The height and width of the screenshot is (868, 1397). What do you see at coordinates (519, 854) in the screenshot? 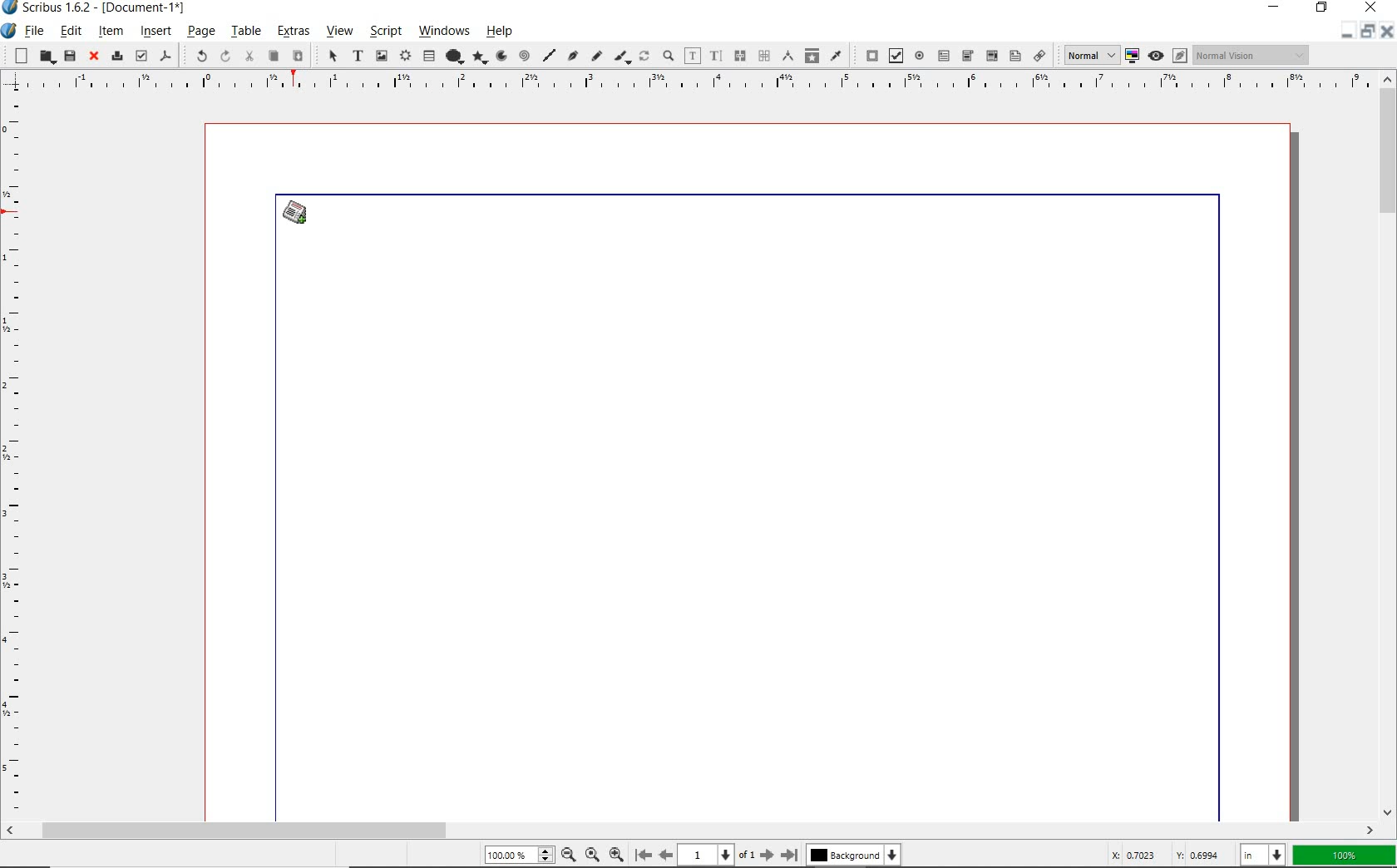
I see `Zoom 100.00%` at bounding box center [519, 854].